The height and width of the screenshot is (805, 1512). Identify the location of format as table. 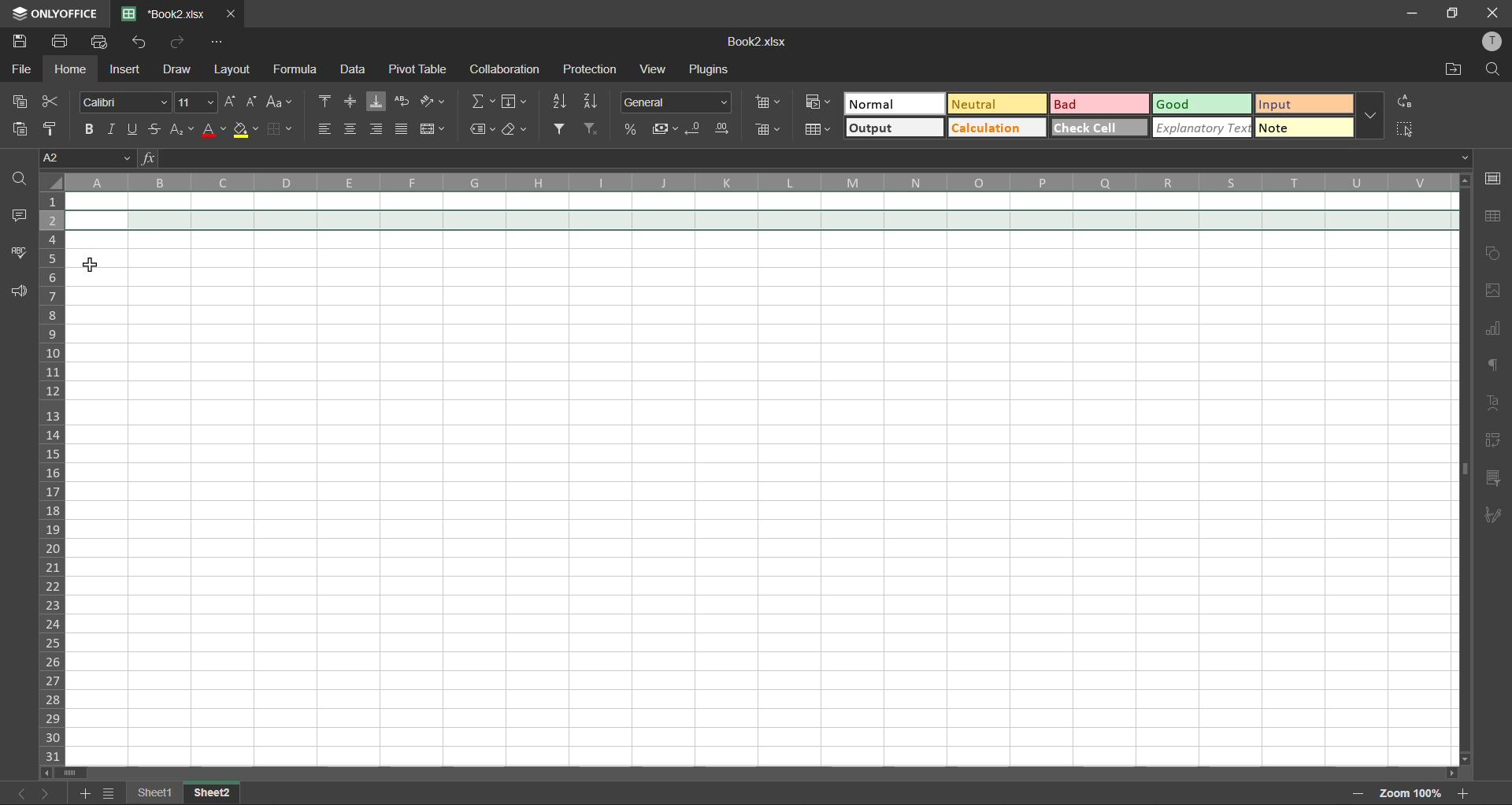
(821, 131).